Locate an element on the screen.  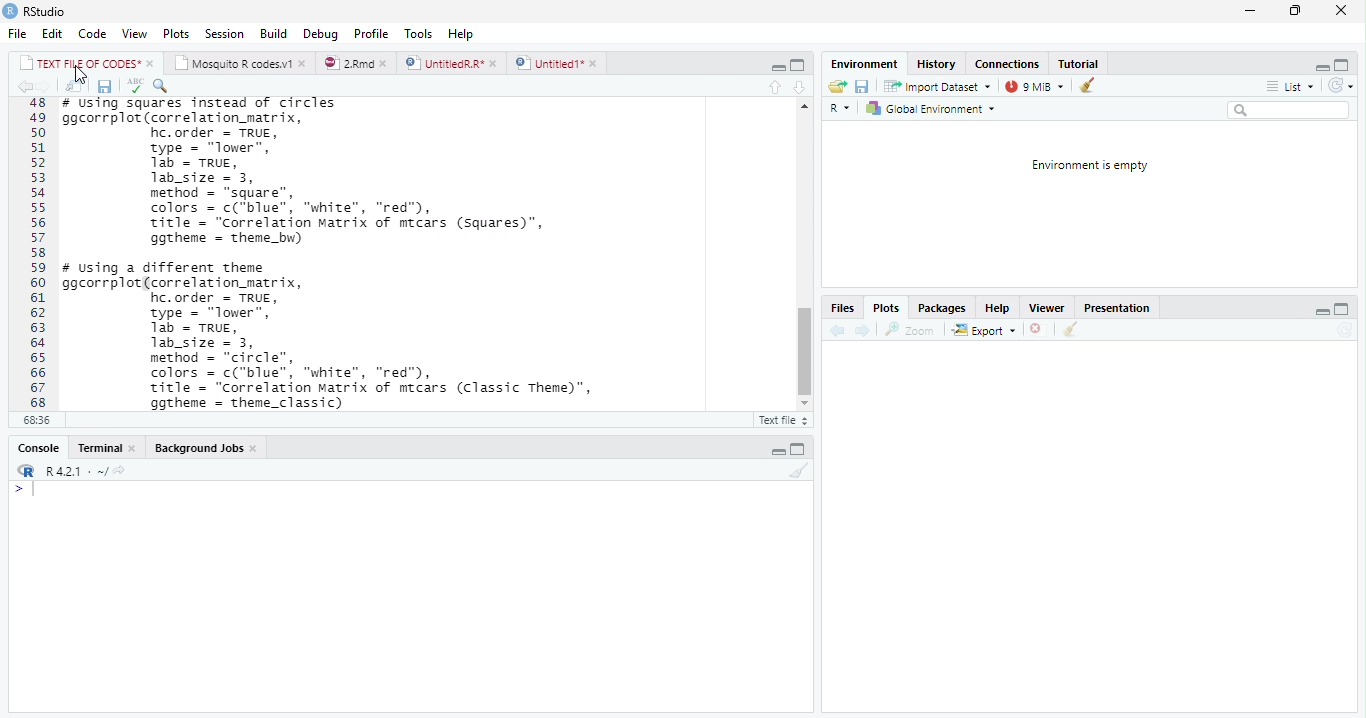
search bar is located at coordinates (1295, 110).